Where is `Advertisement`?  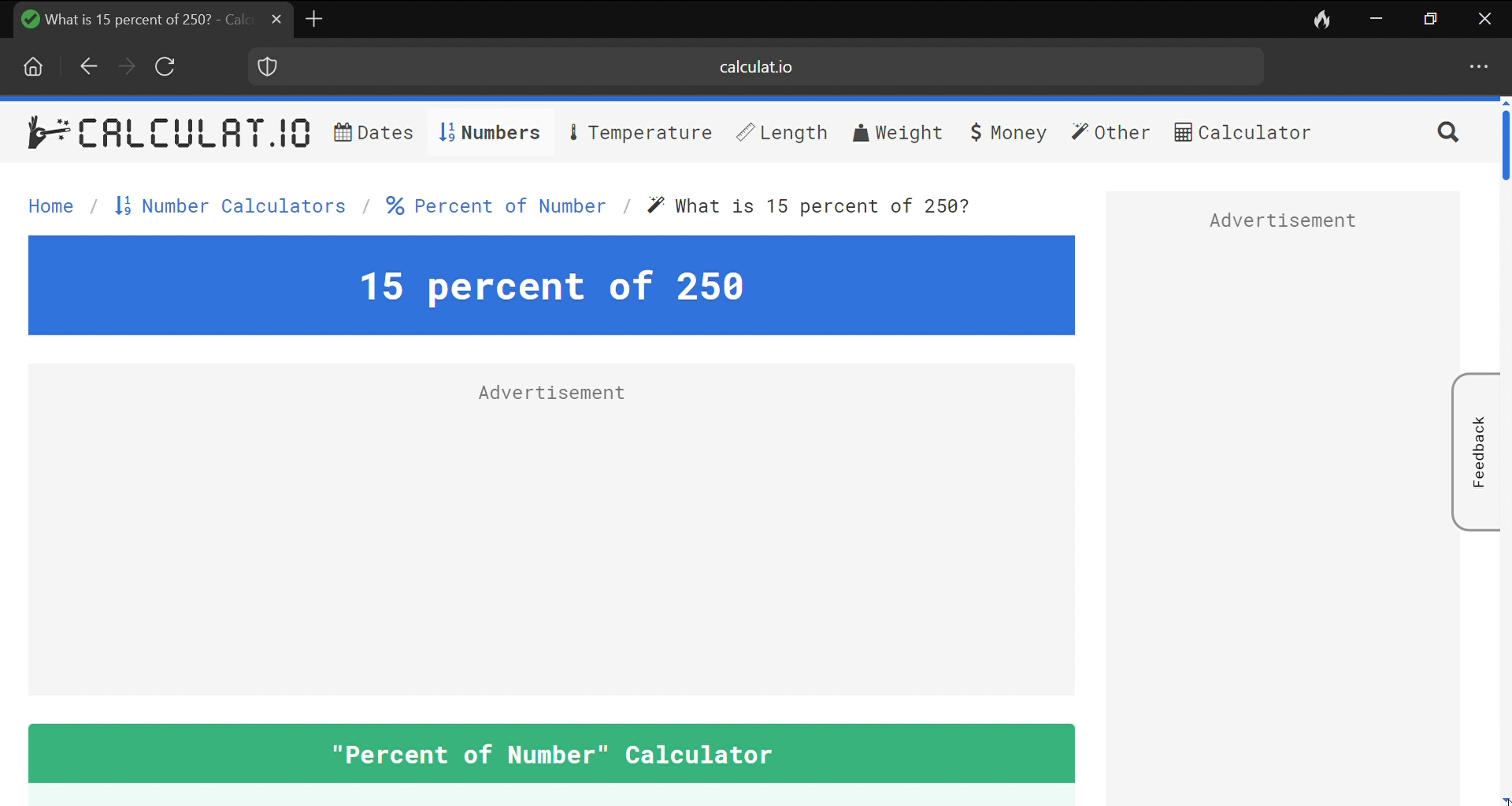
Advertisement is located at coordinates (1284, 224).